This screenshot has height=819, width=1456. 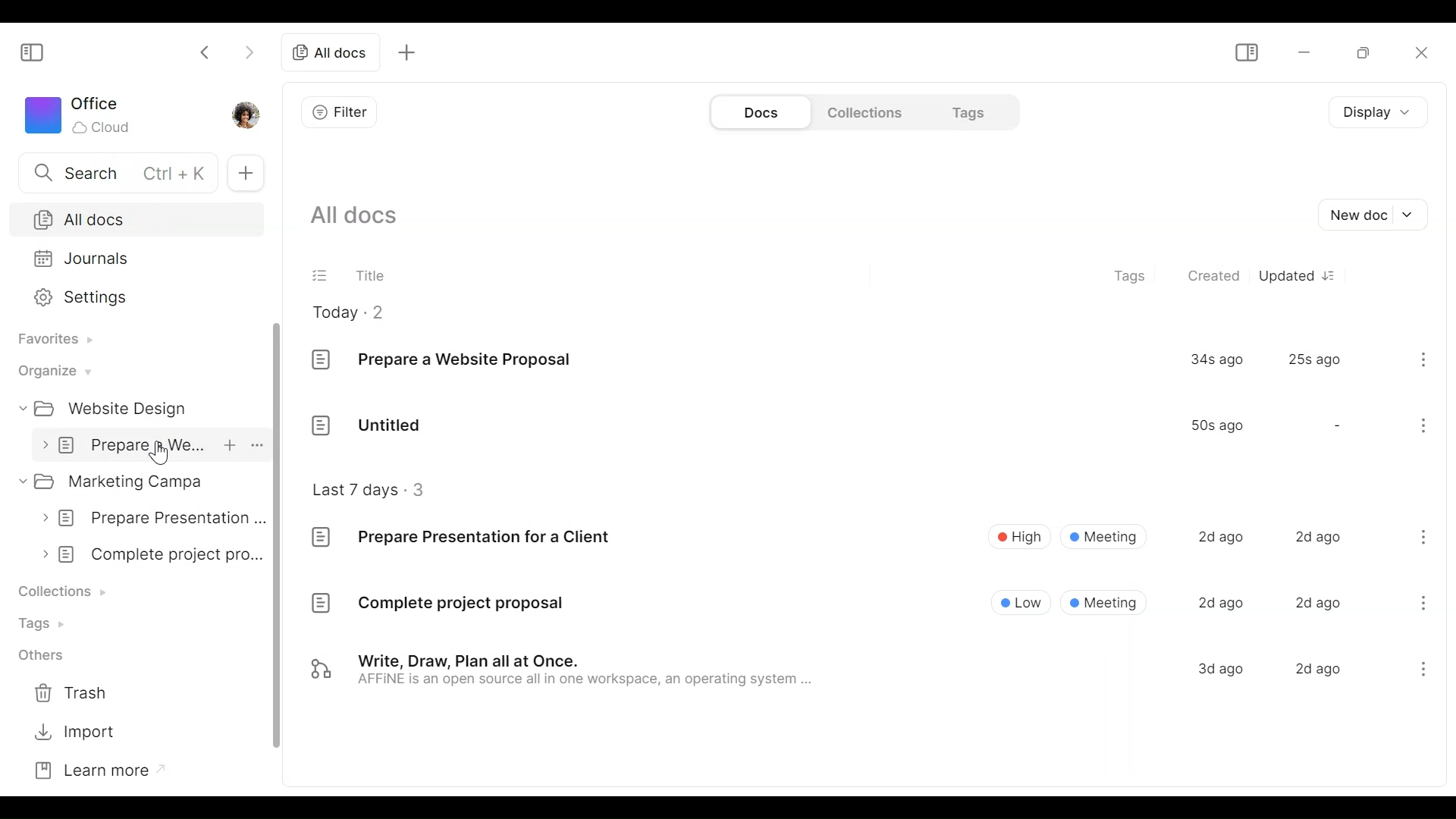 What do you see at coordinates (248, 52) in the screenshot?
I see `Forward` at bounding box center [248, 52].